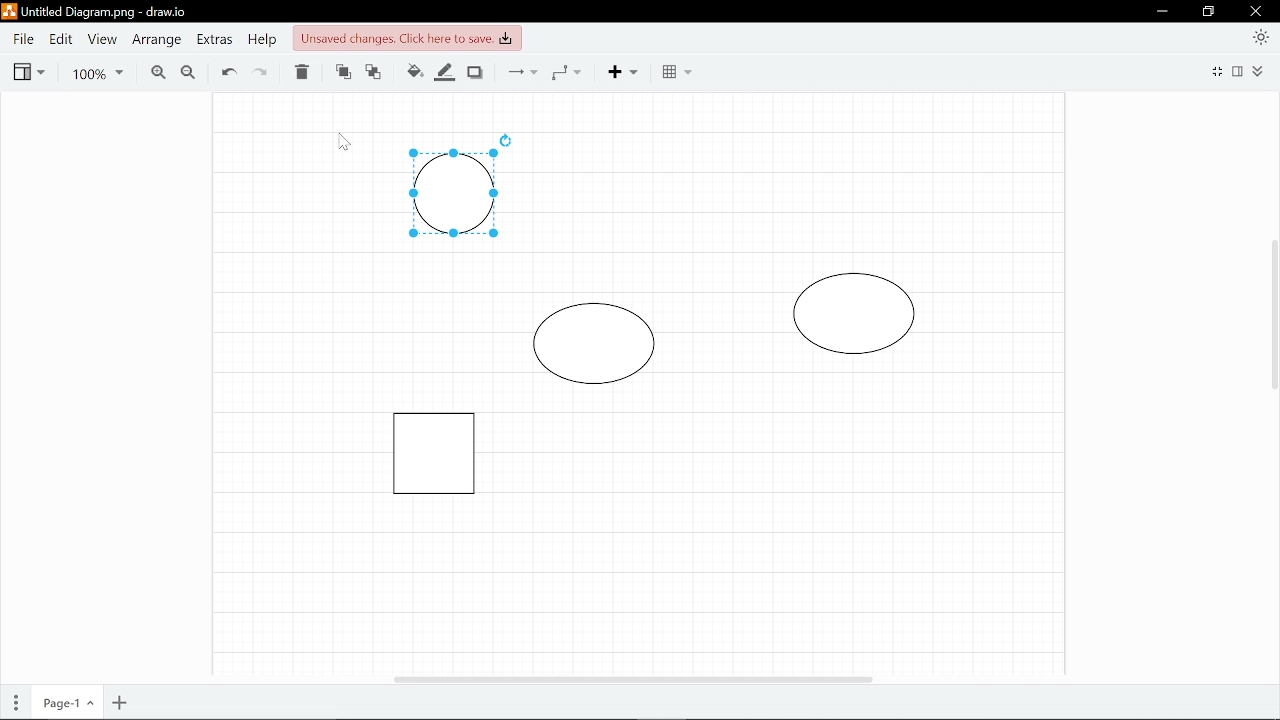  Describe the element at coordinates (405, 37) in the screenshot. I see `Unsaved changes. Click here to save` at that location.